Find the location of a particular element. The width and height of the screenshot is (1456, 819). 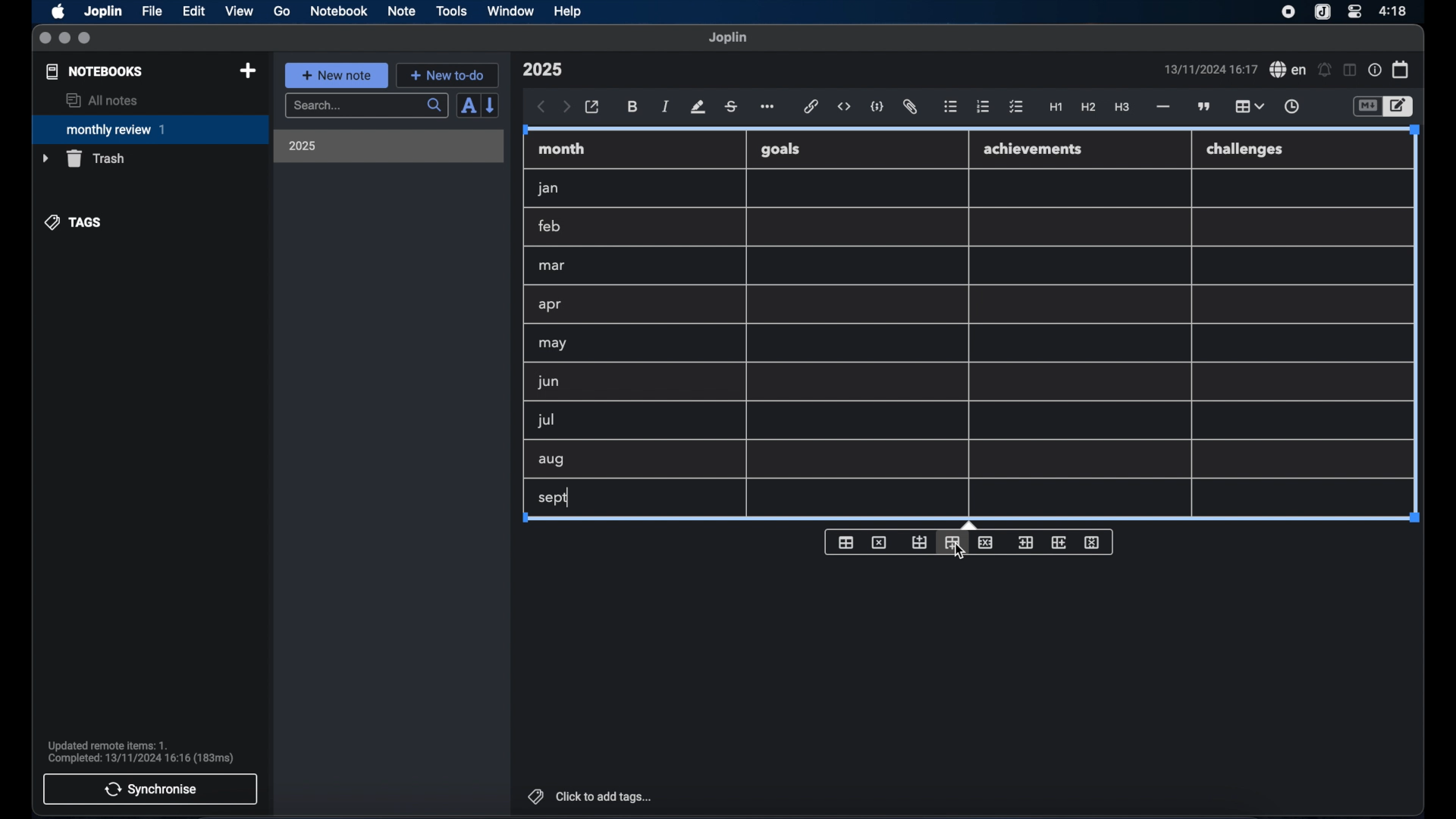

sync notification is located at coordinates (141, 752).